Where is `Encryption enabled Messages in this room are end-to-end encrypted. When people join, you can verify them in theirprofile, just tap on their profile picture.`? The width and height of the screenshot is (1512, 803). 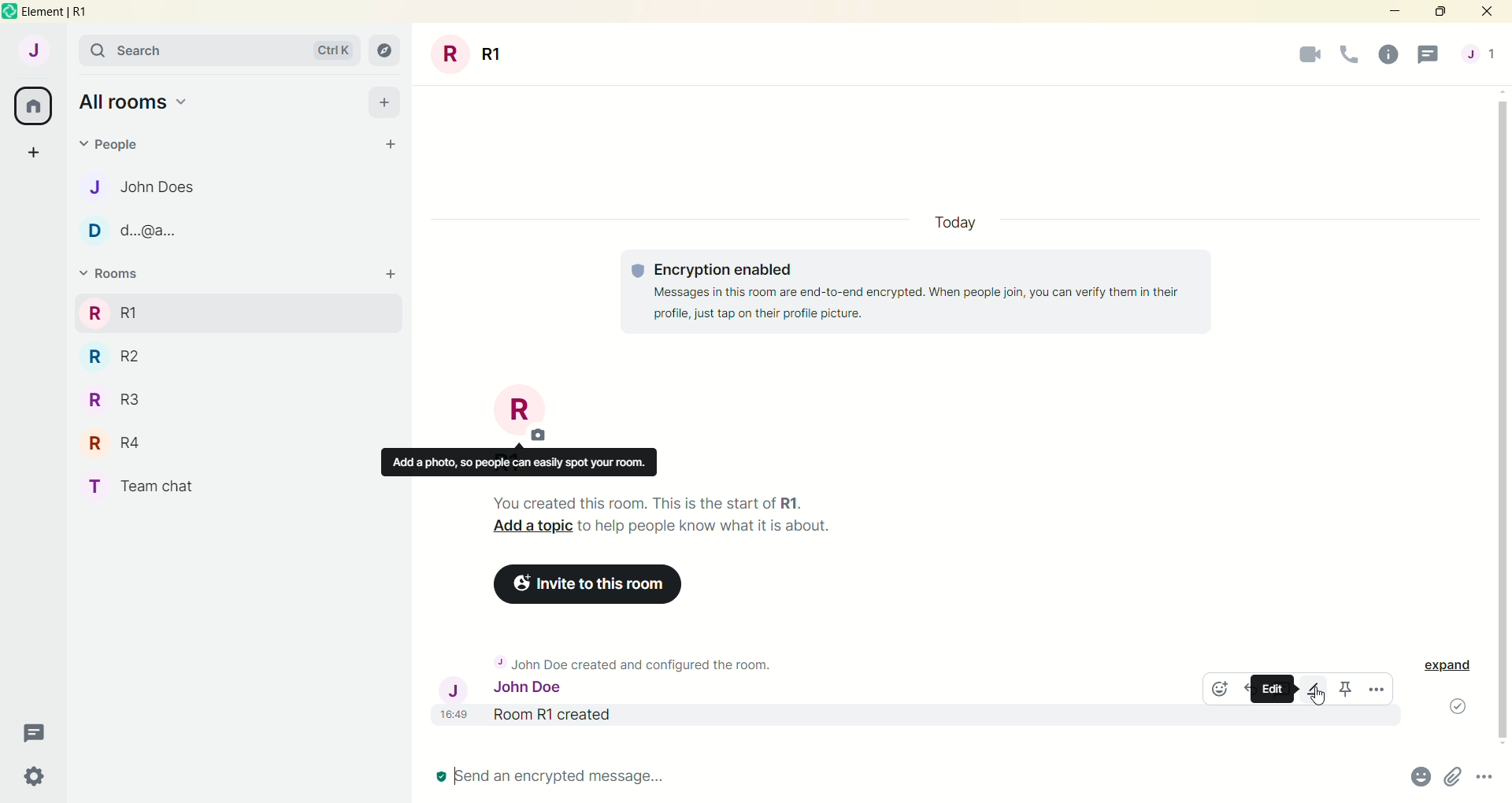
Encryption enabled Messages in this room are end-to-end encrypted. When people join, you can verify them in theirprofile, just tap on their profile picture. is located at coordinates (920, 291).